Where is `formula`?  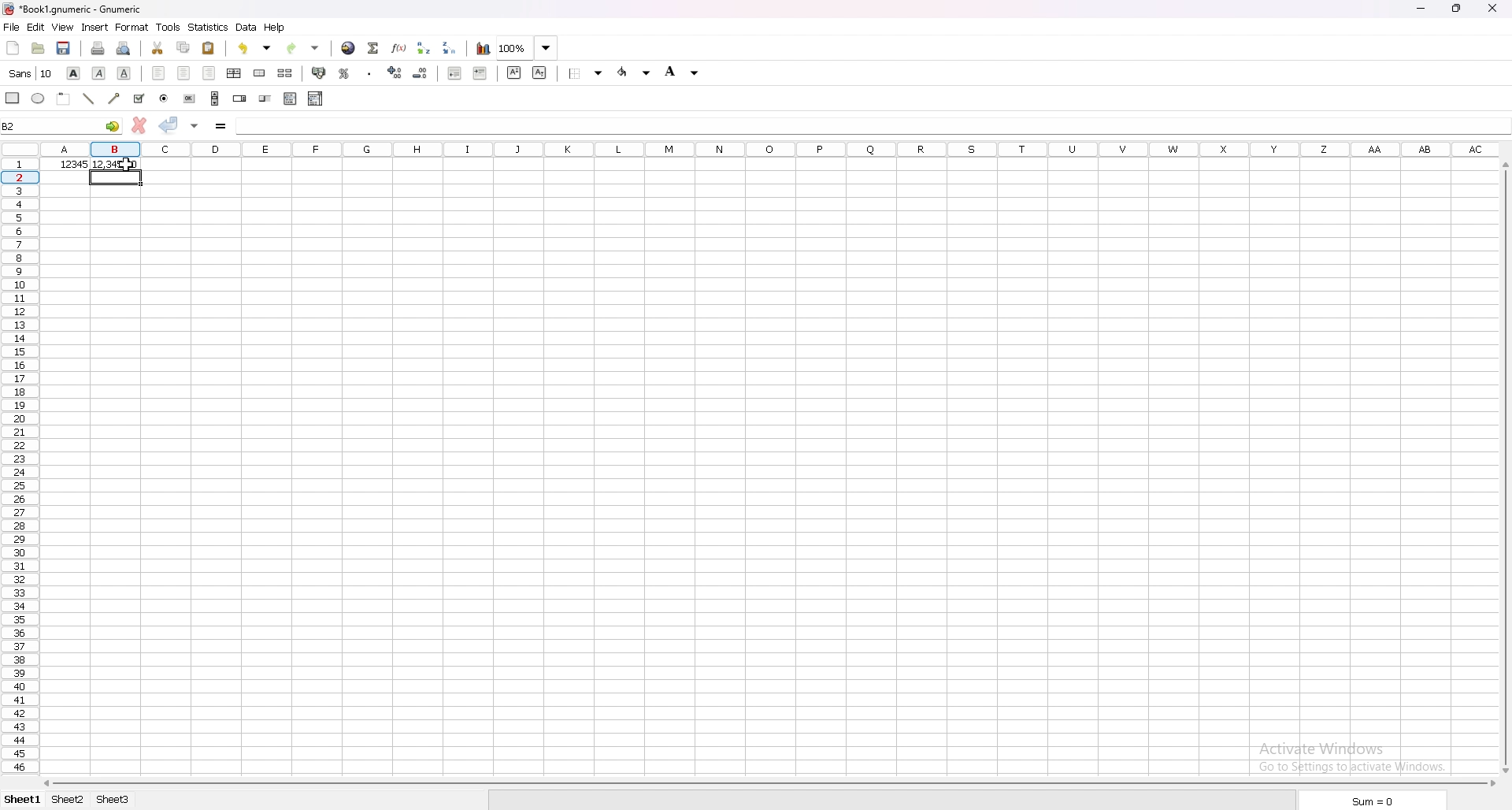 formula is located at coordinates (293, 126).